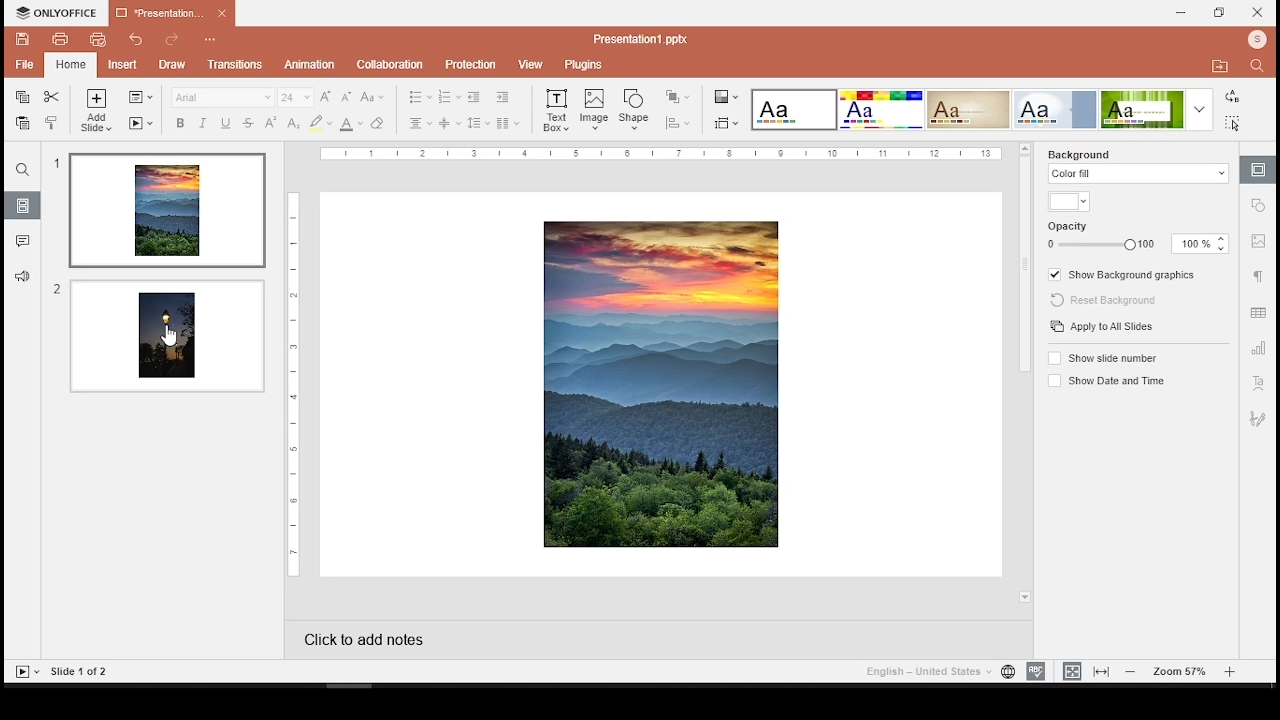 The width and height of the screenshot is (1280, 720). I want to click on align shapes, so click(676, 123).